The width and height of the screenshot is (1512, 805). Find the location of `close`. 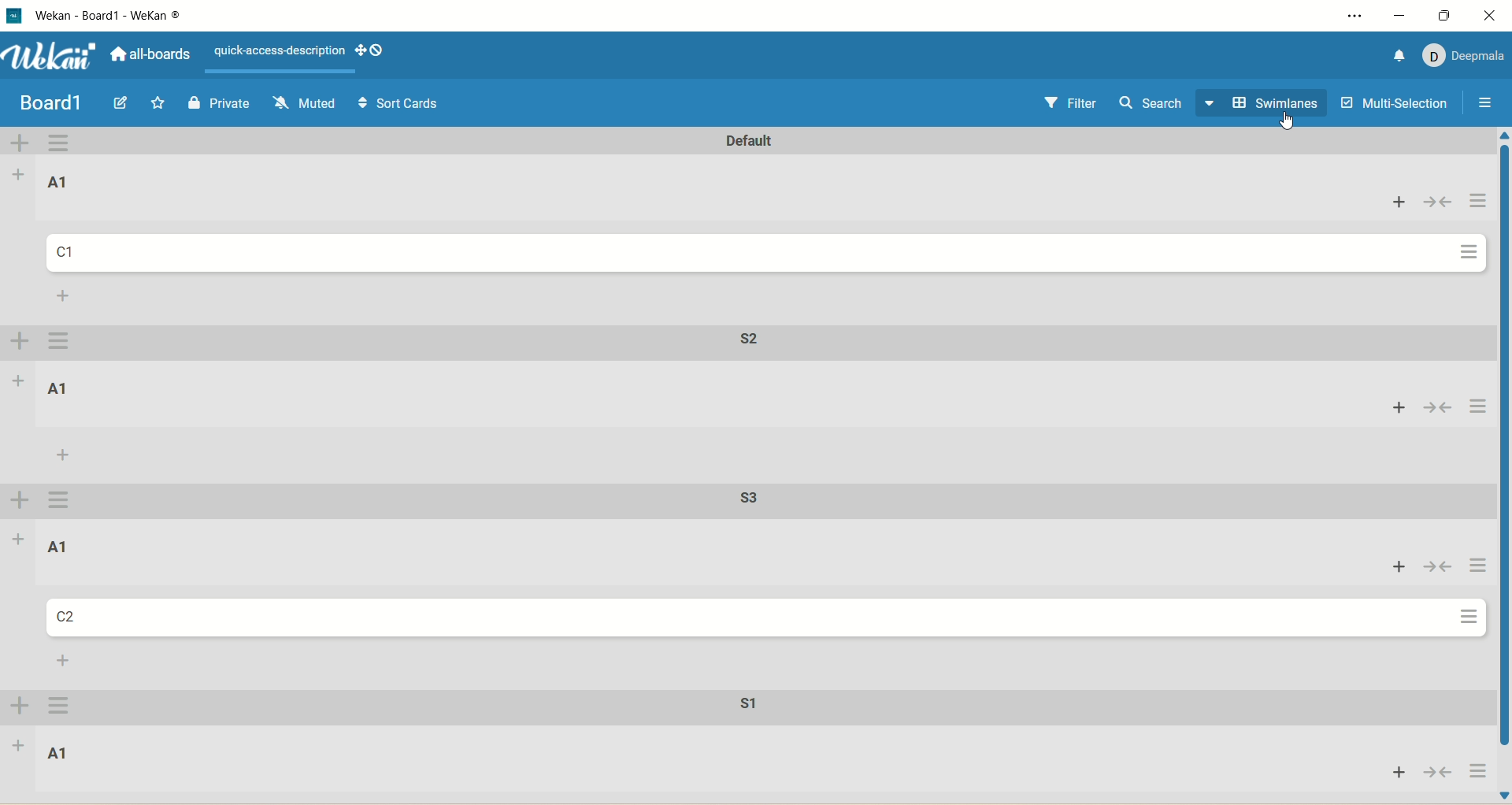

close is located at coordinates (1492, 15).